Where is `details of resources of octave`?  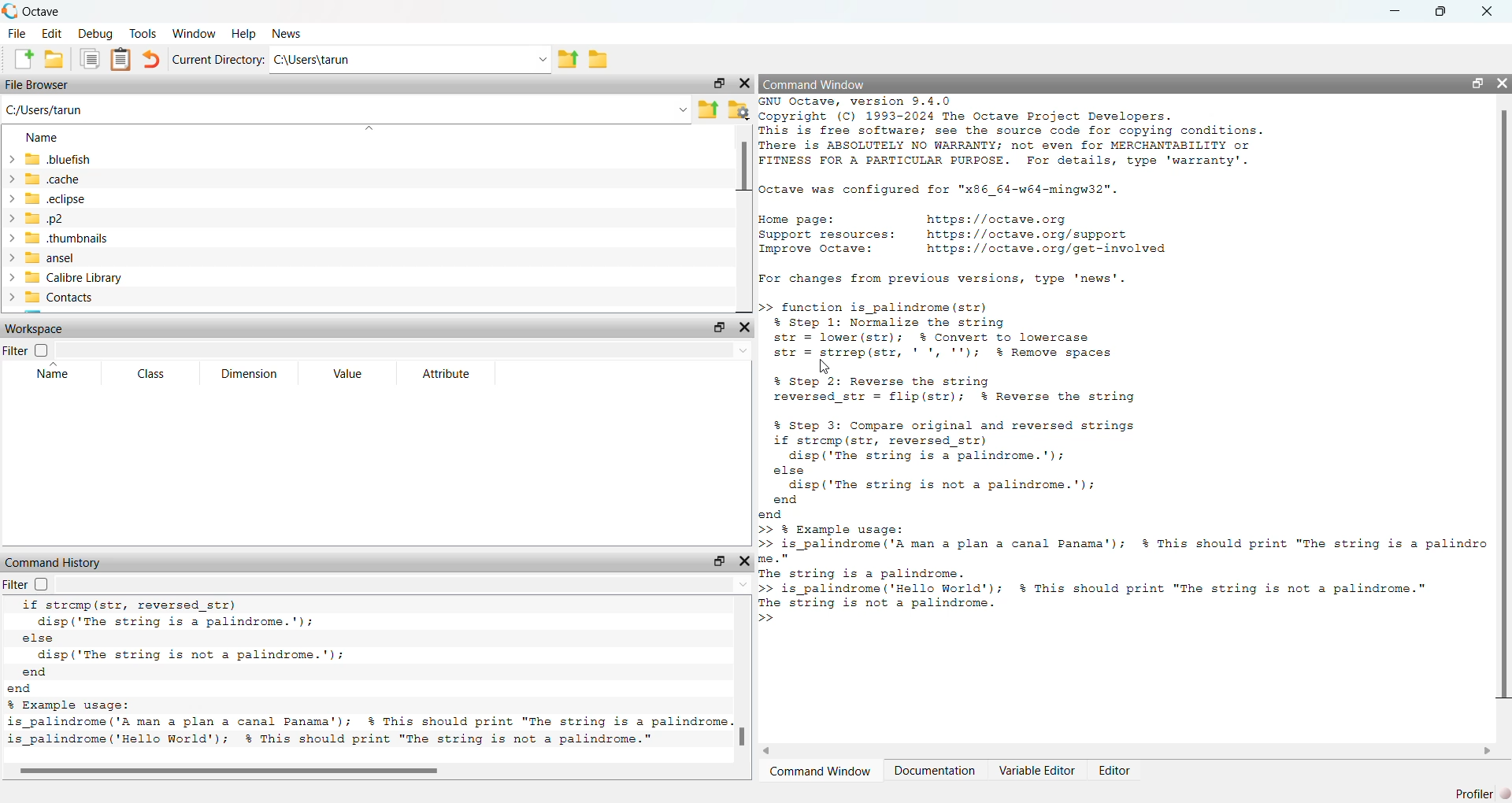
details of resources of octave is located at coordinates (969, 234).